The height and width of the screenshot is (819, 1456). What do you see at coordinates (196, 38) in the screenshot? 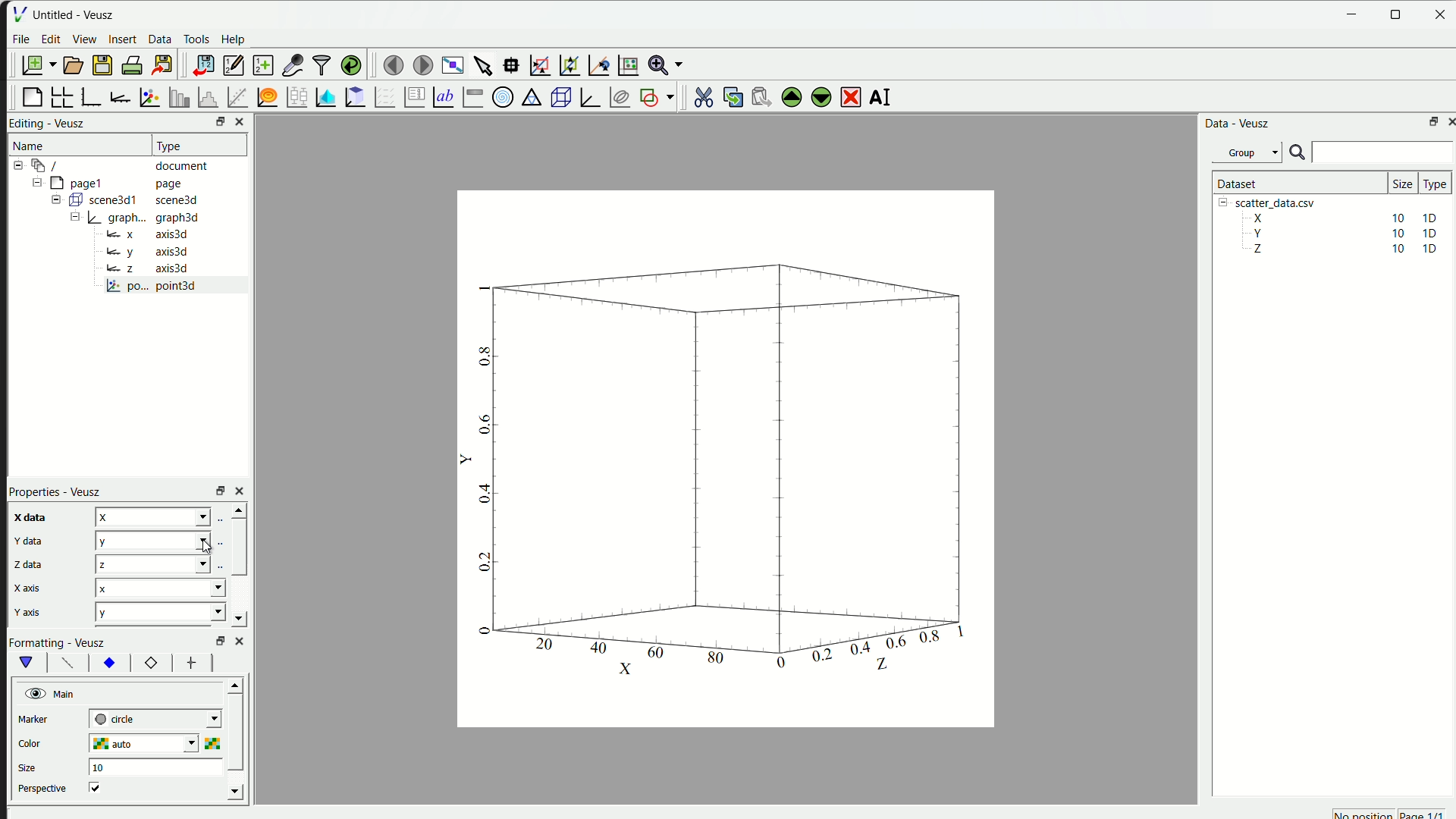
I see `Tools` at bounding box center [196, 38].